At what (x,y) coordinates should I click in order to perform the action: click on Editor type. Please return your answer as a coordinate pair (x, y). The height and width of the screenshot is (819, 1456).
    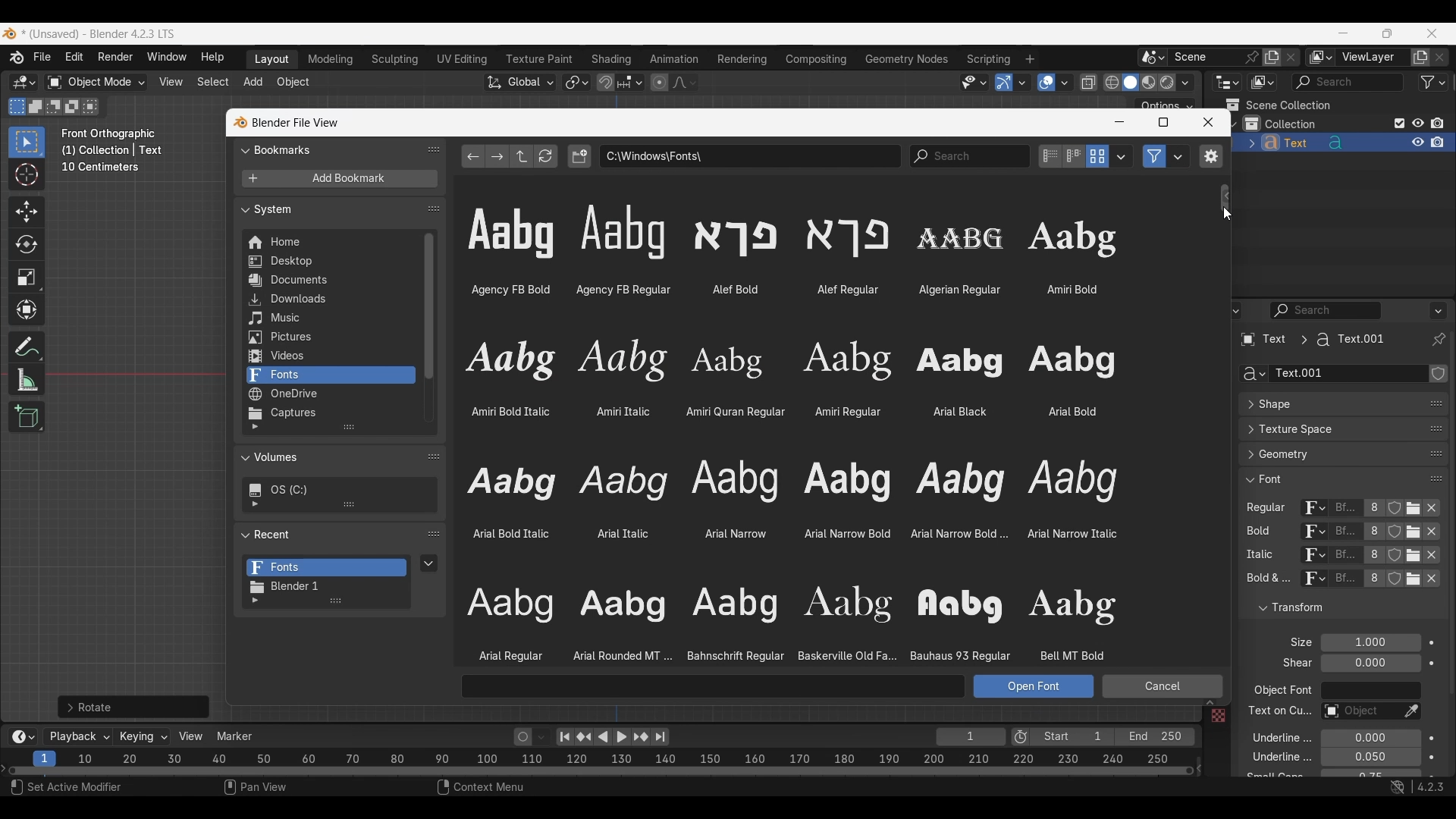
    Looking at the image, I should click on (1227, 82).